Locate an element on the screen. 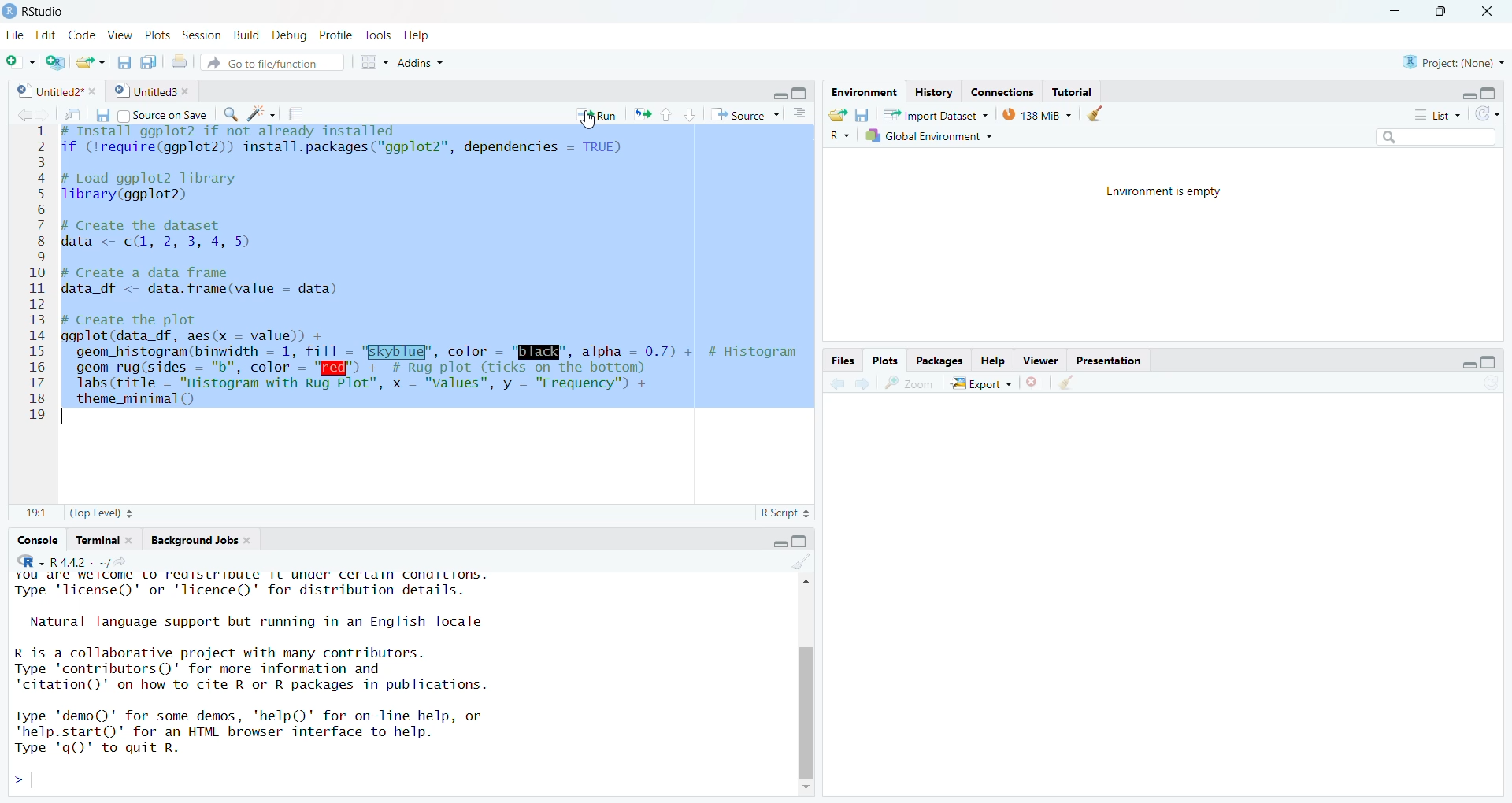 The width and height of the screenshot is (1512, 803).  is located at coordinates (74, 114).